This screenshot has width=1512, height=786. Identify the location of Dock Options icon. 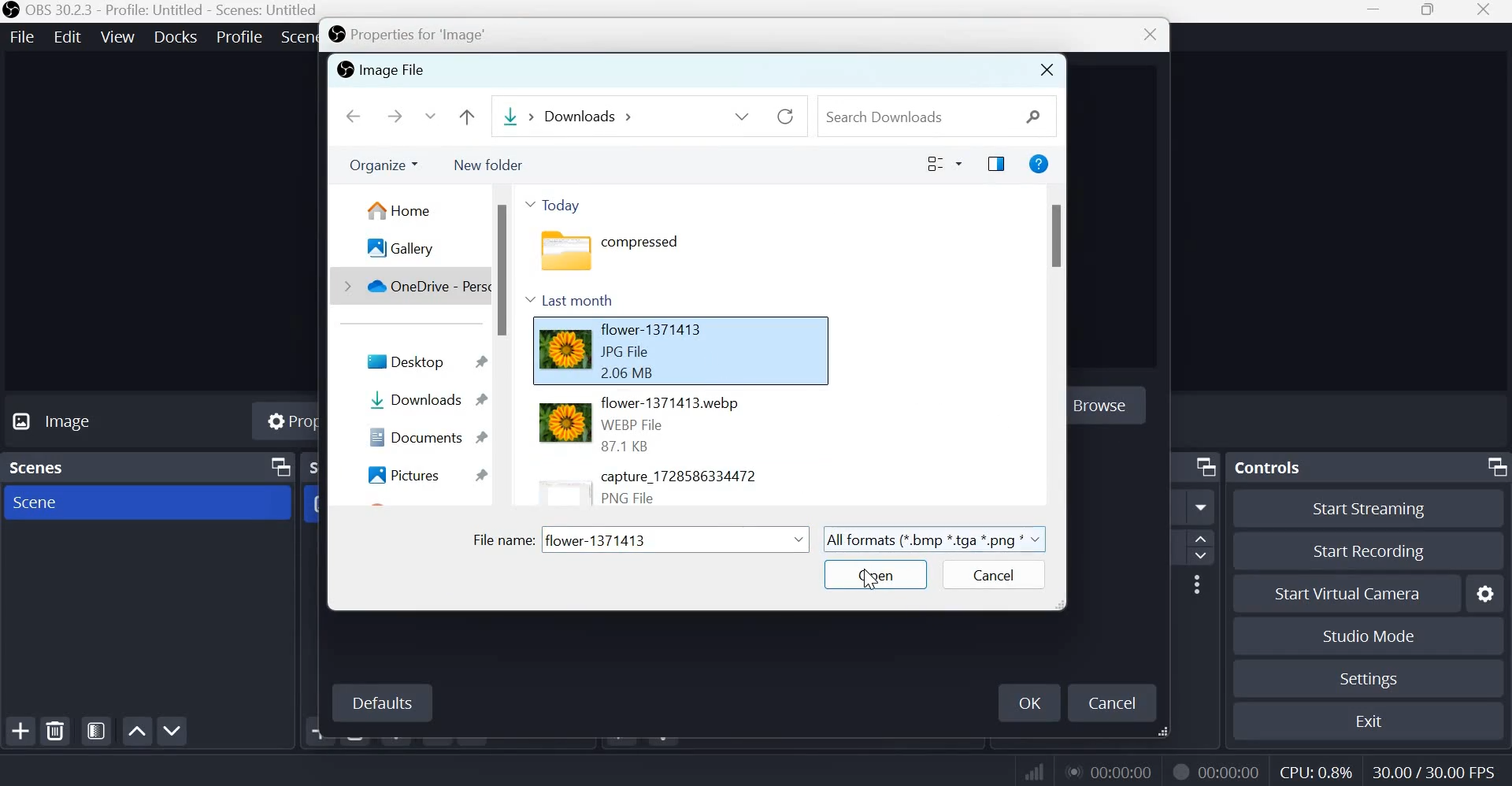
(276, 467).